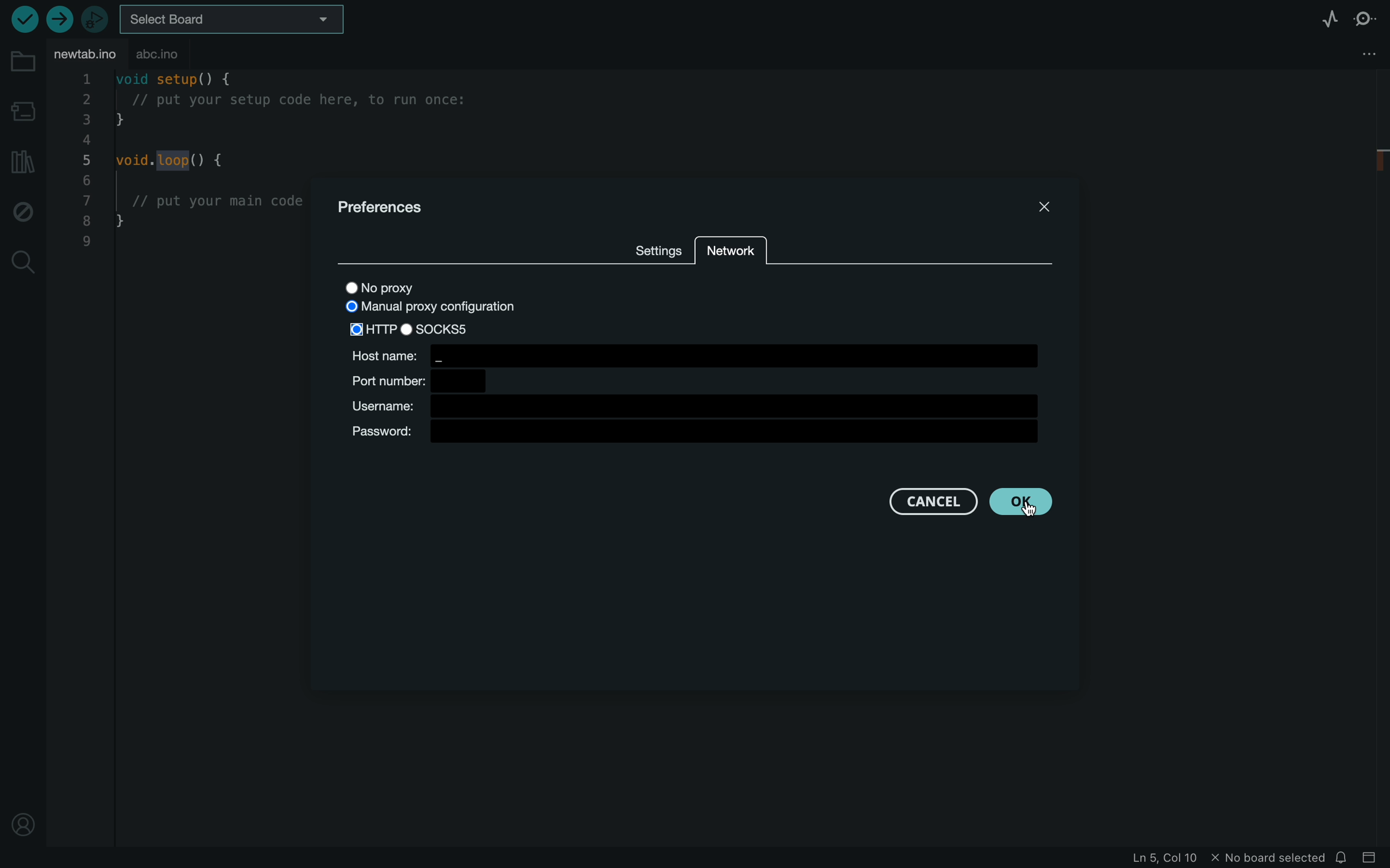 The height and width of the screenshot is (868, 1390). Describe the element at coordinates (1033, 509) in the screenshot. I see `cursor` at that location.